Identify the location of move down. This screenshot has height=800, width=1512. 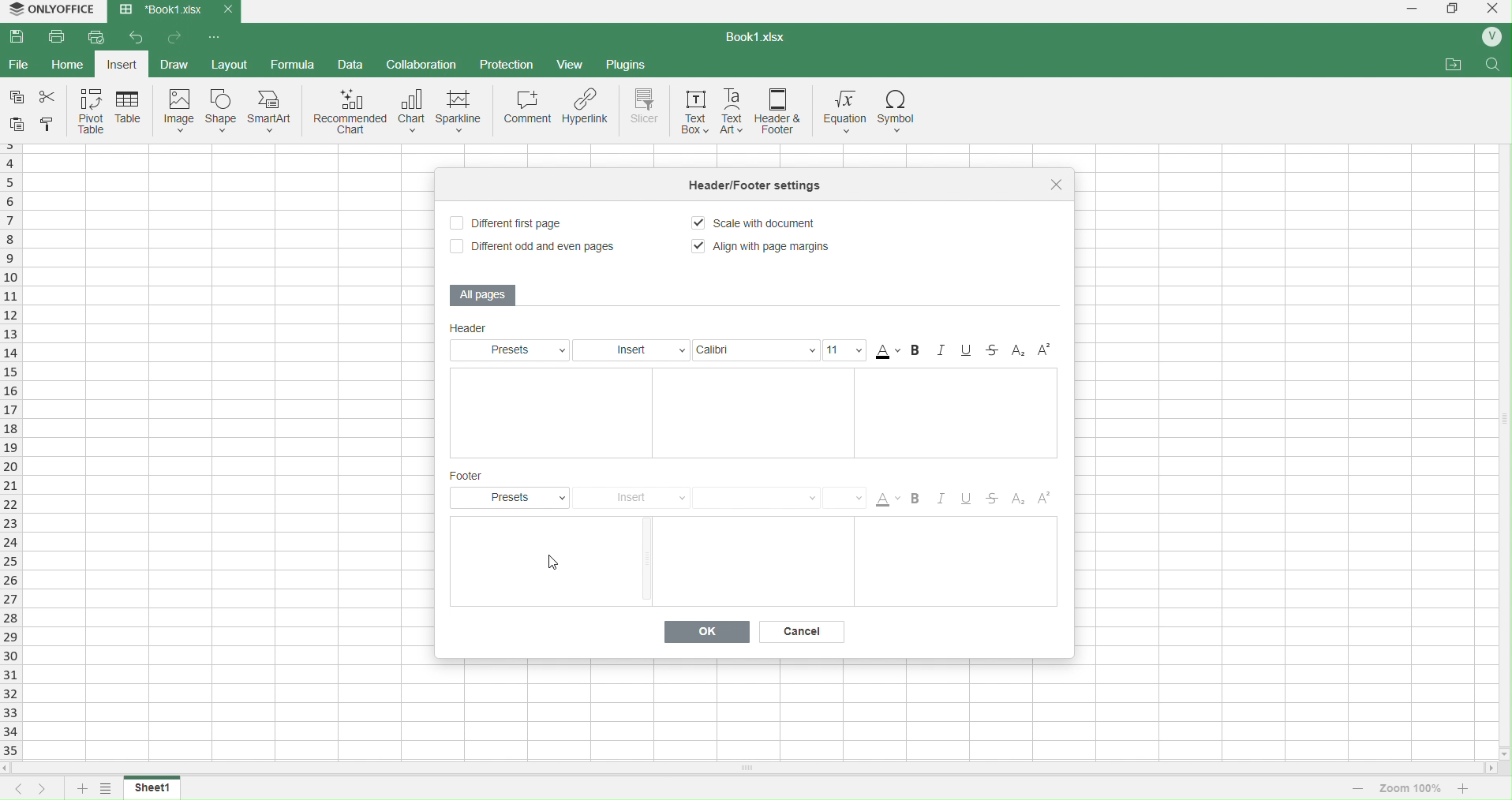
(1503, 753).